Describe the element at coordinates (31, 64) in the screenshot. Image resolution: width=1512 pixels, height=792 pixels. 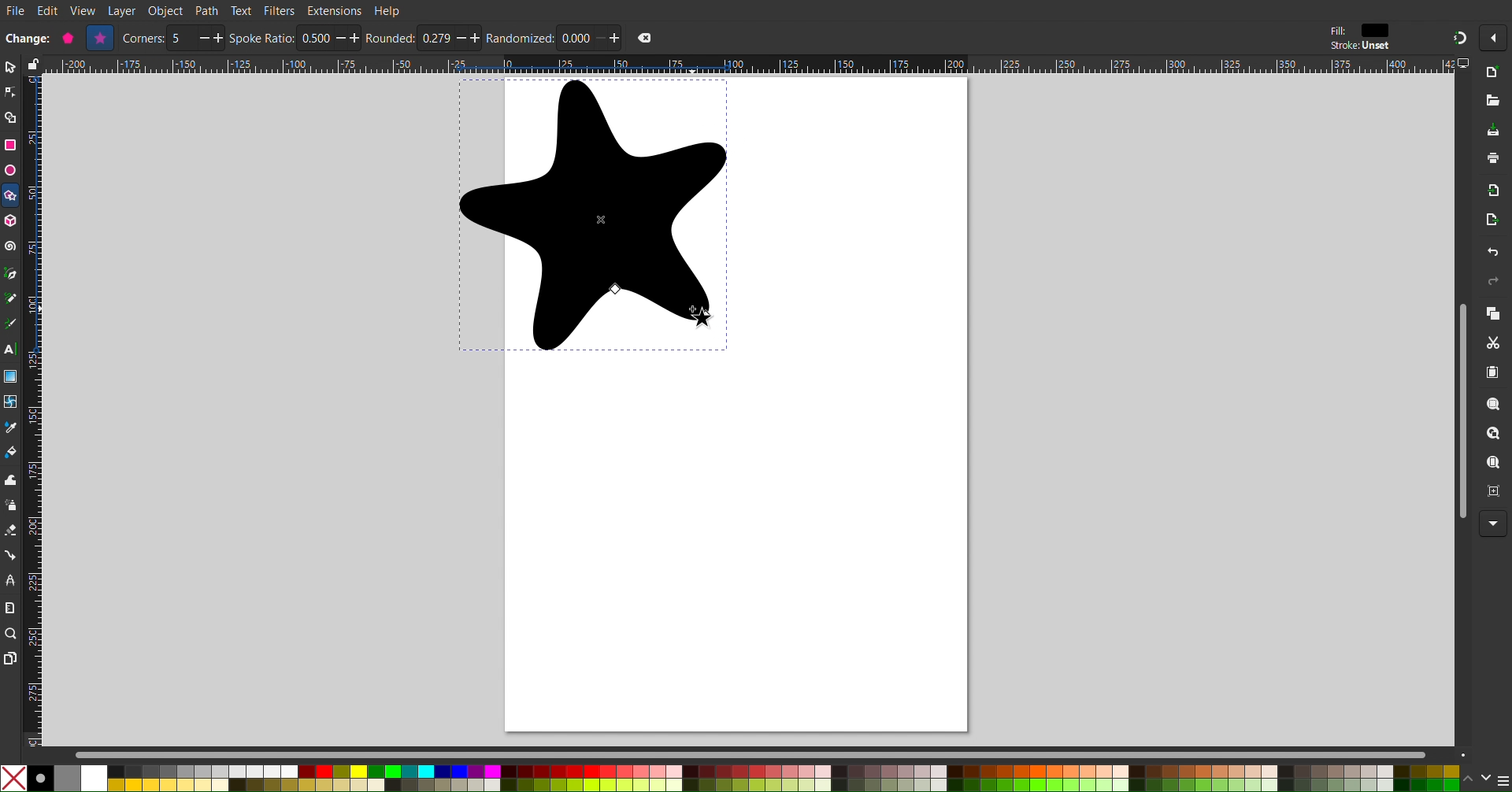
I see `lock` at that location.